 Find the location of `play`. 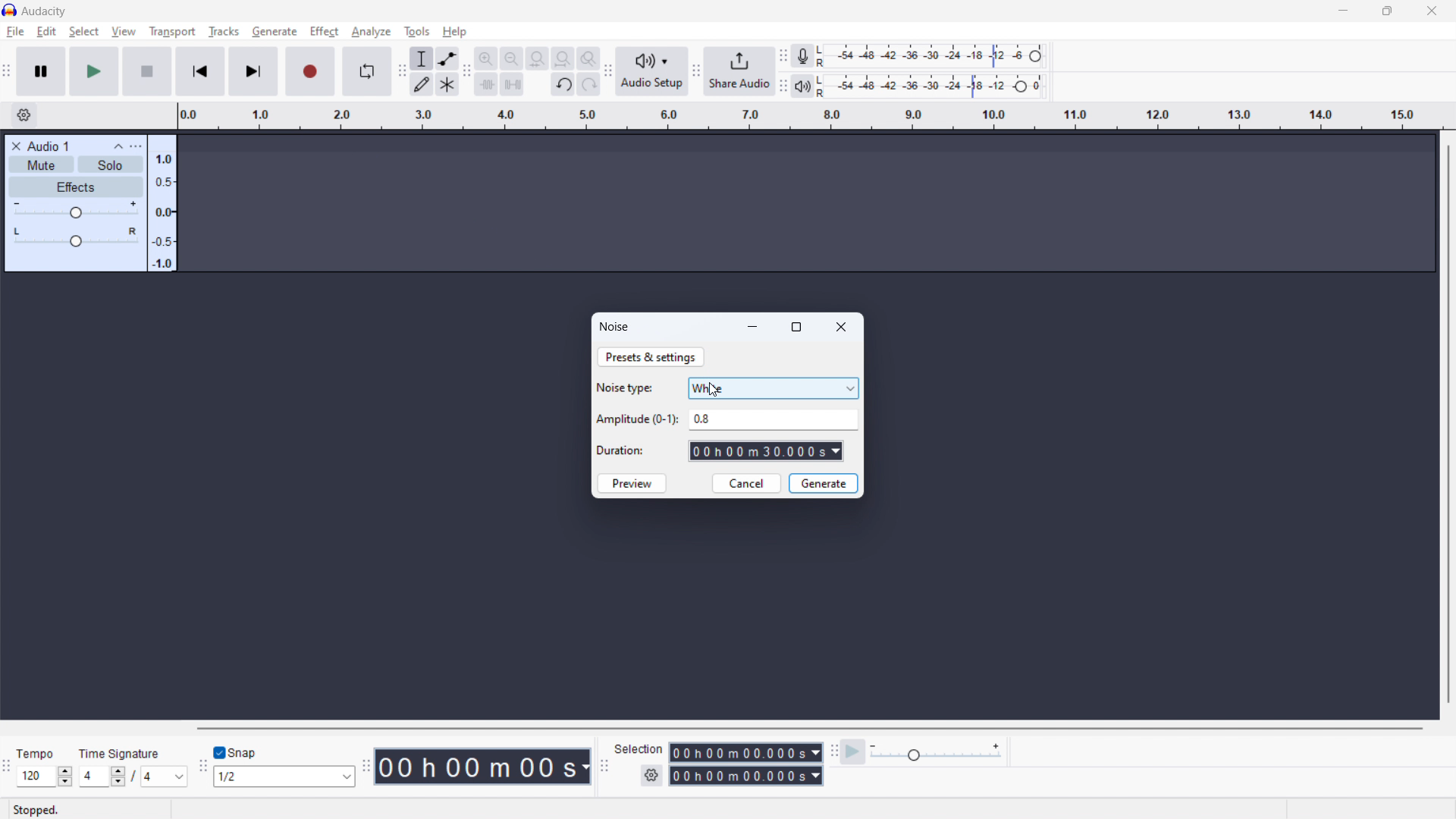

play is located at coordinates (94, 71).